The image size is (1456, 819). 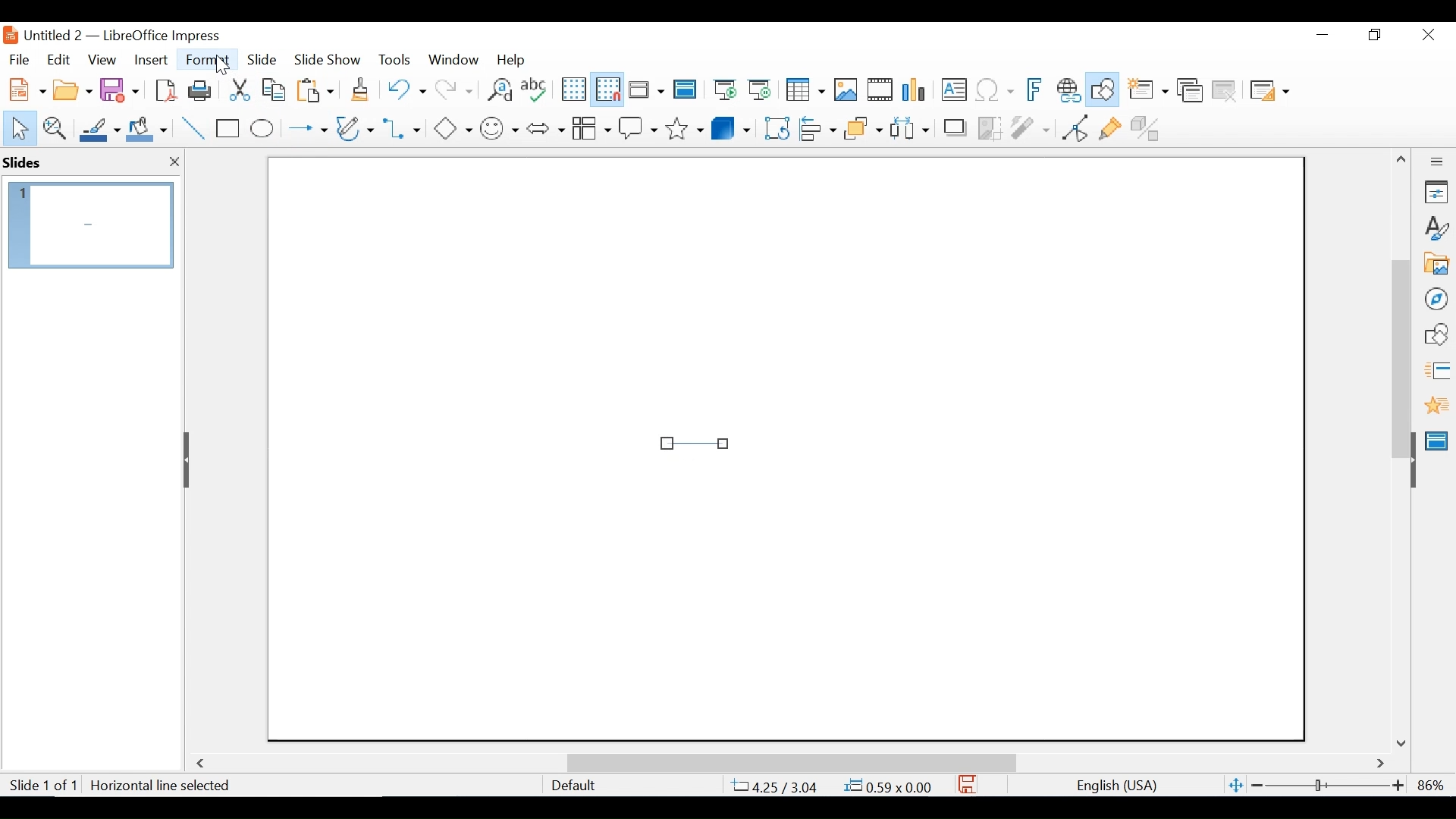 What do you see at coordinates (1030, 127) in the screenshot?
I see `Filter Image` at bounding box center [1030, 127].